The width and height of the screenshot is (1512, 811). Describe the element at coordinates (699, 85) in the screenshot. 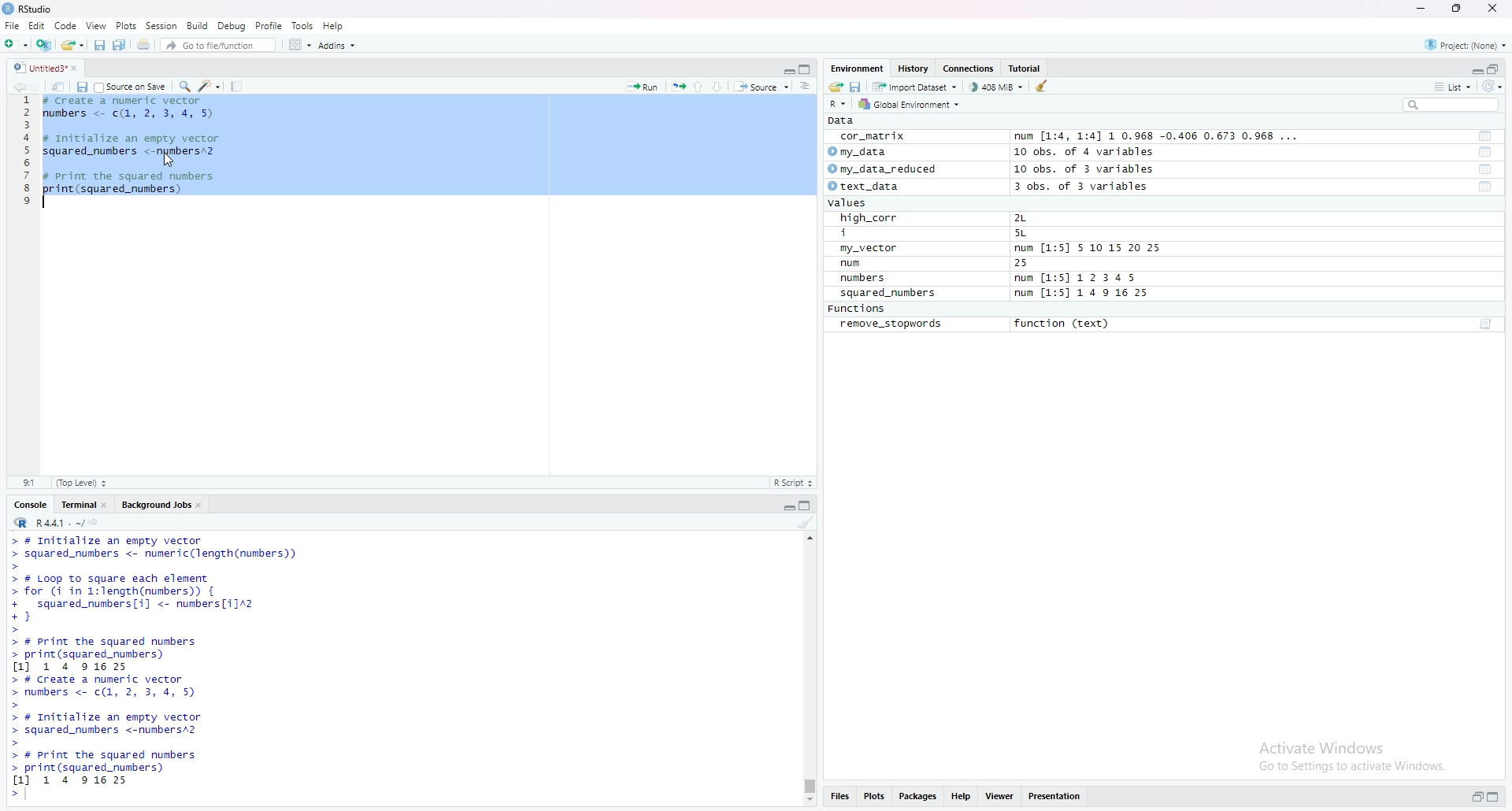

I see `up` at that location.